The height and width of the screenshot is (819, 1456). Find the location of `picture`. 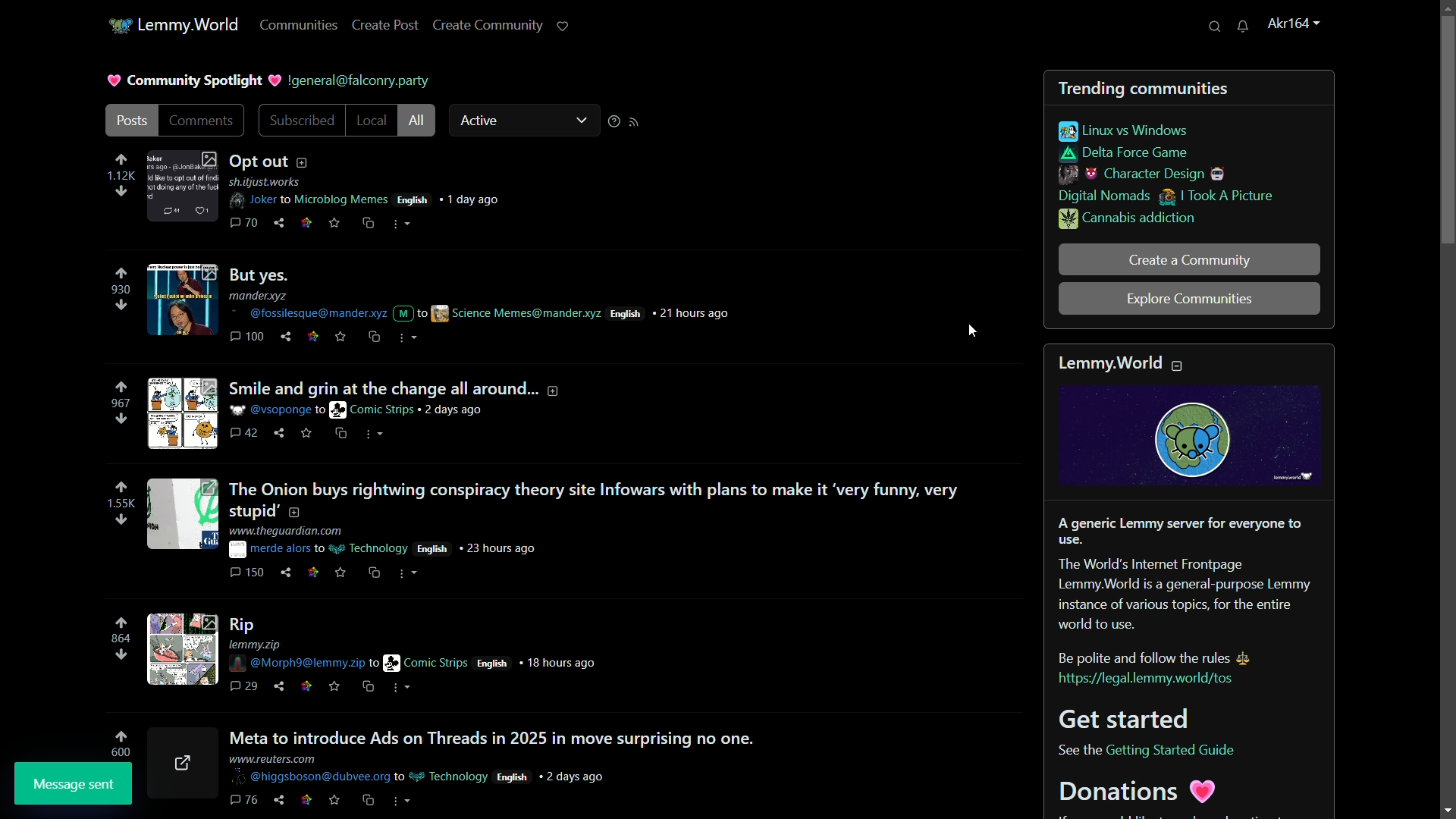

picture is located at coordinates (114, 82).